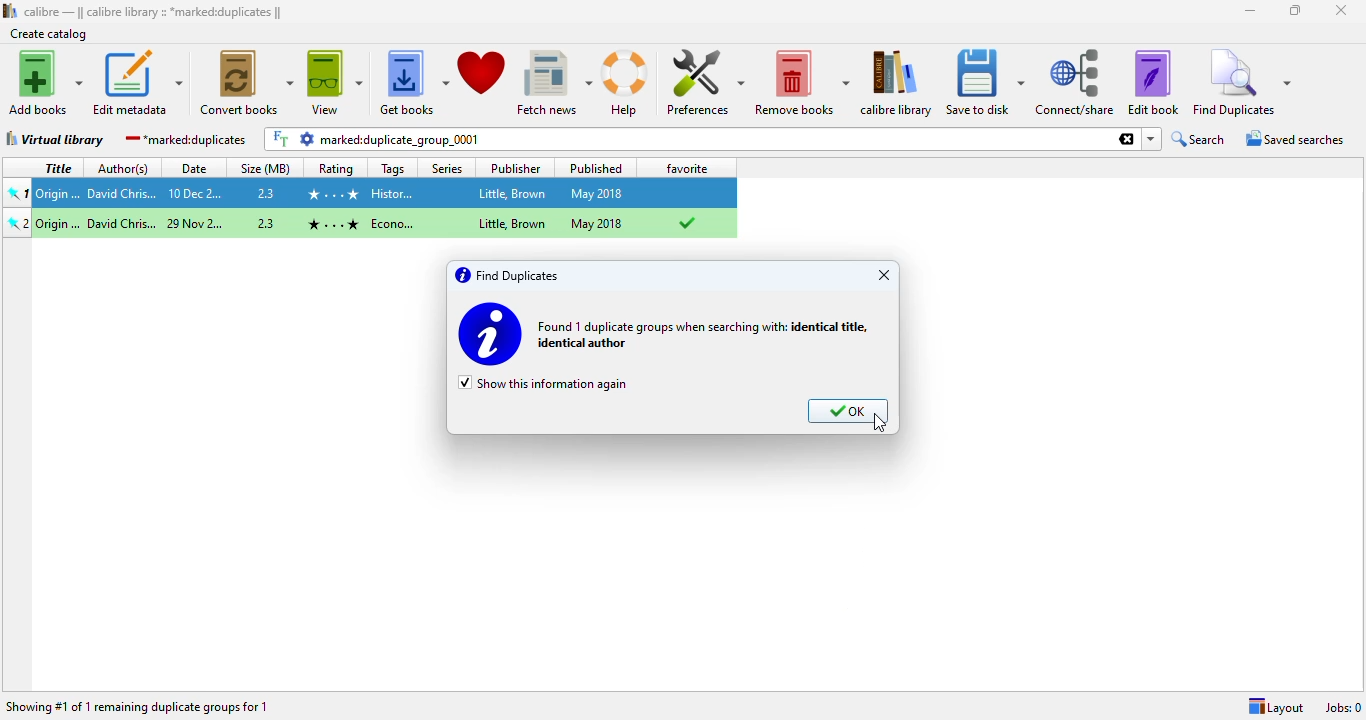 The height and width of the screenshot is (720, 1366). Describe the element at coordinates (1296, 137) in the screenshot. I see `saved searches` at that location.